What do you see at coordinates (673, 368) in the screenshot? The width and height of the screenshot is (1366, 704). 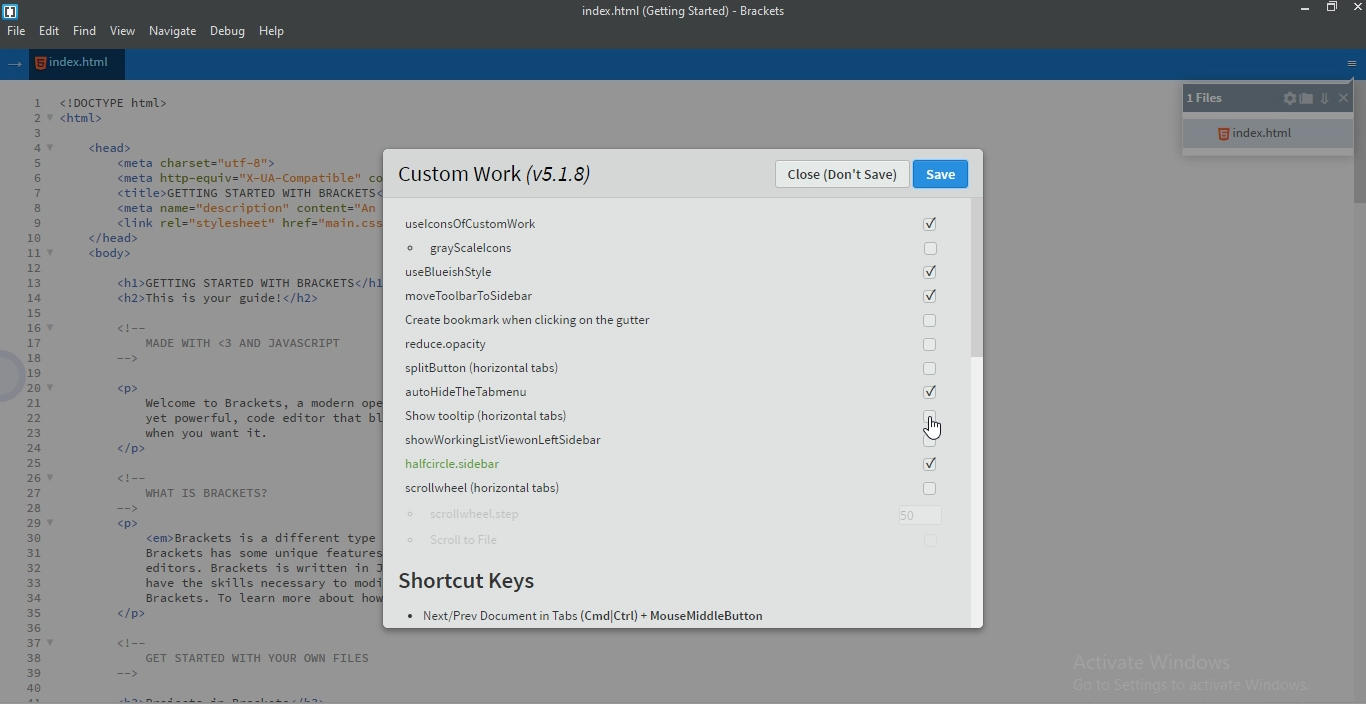 I see `splitButton (horizontal tabs)` at bounding box center [673, 368].